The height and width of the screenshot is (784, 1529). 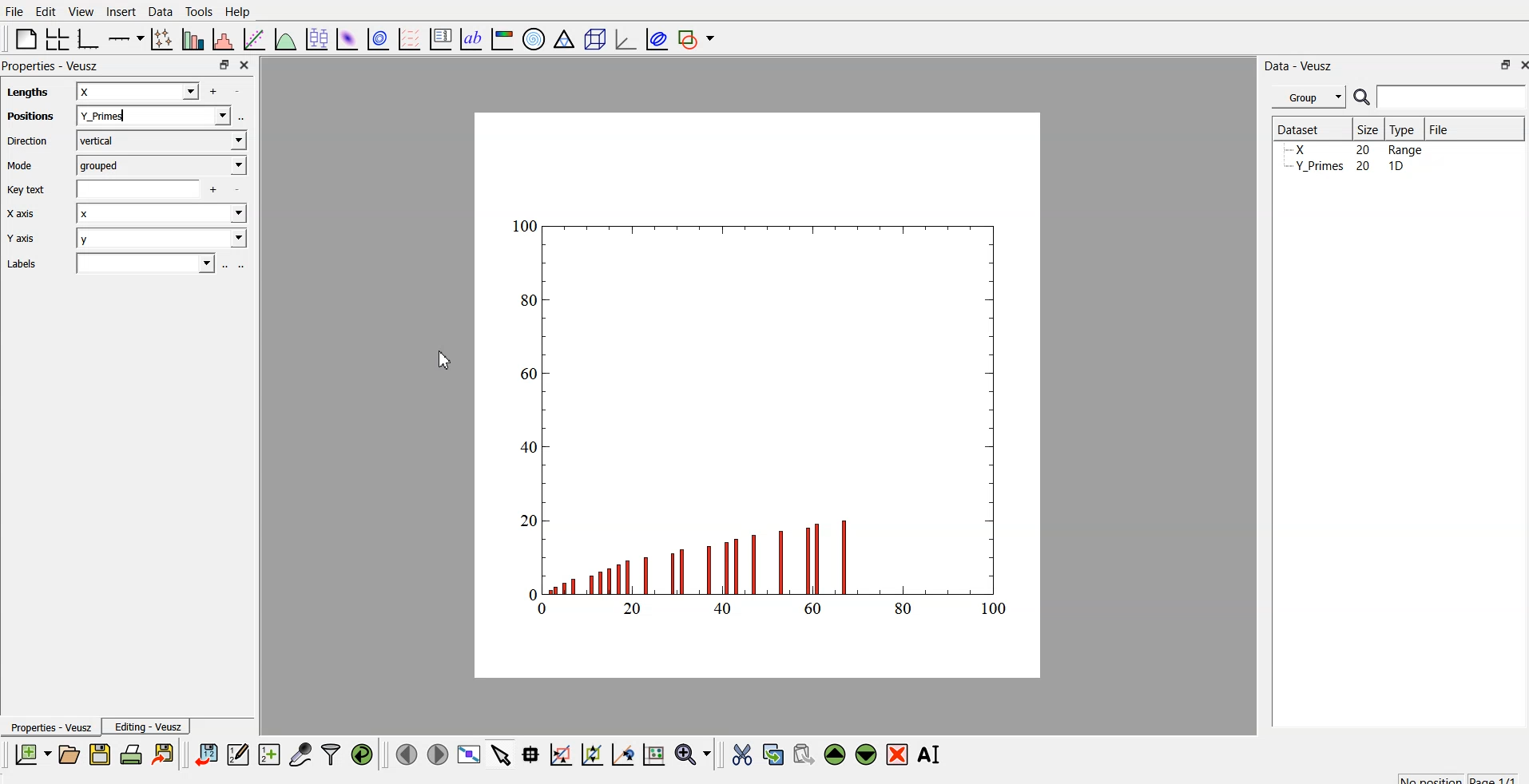 I want to click on draw ponts, so click(x=591, y=754).